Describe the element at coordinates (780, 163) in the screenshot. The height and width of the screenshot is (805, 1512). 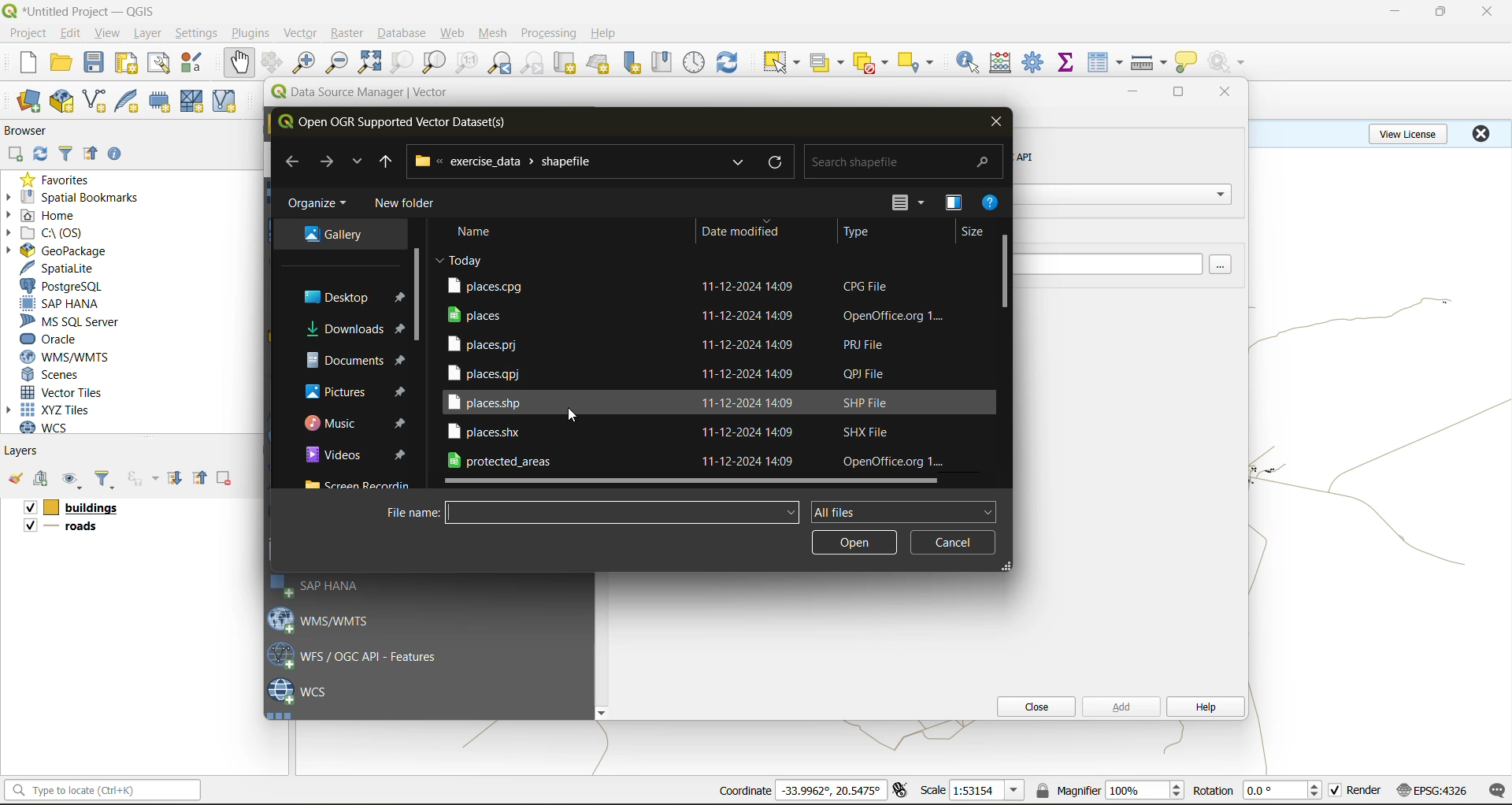
I see `refresh` at that location.